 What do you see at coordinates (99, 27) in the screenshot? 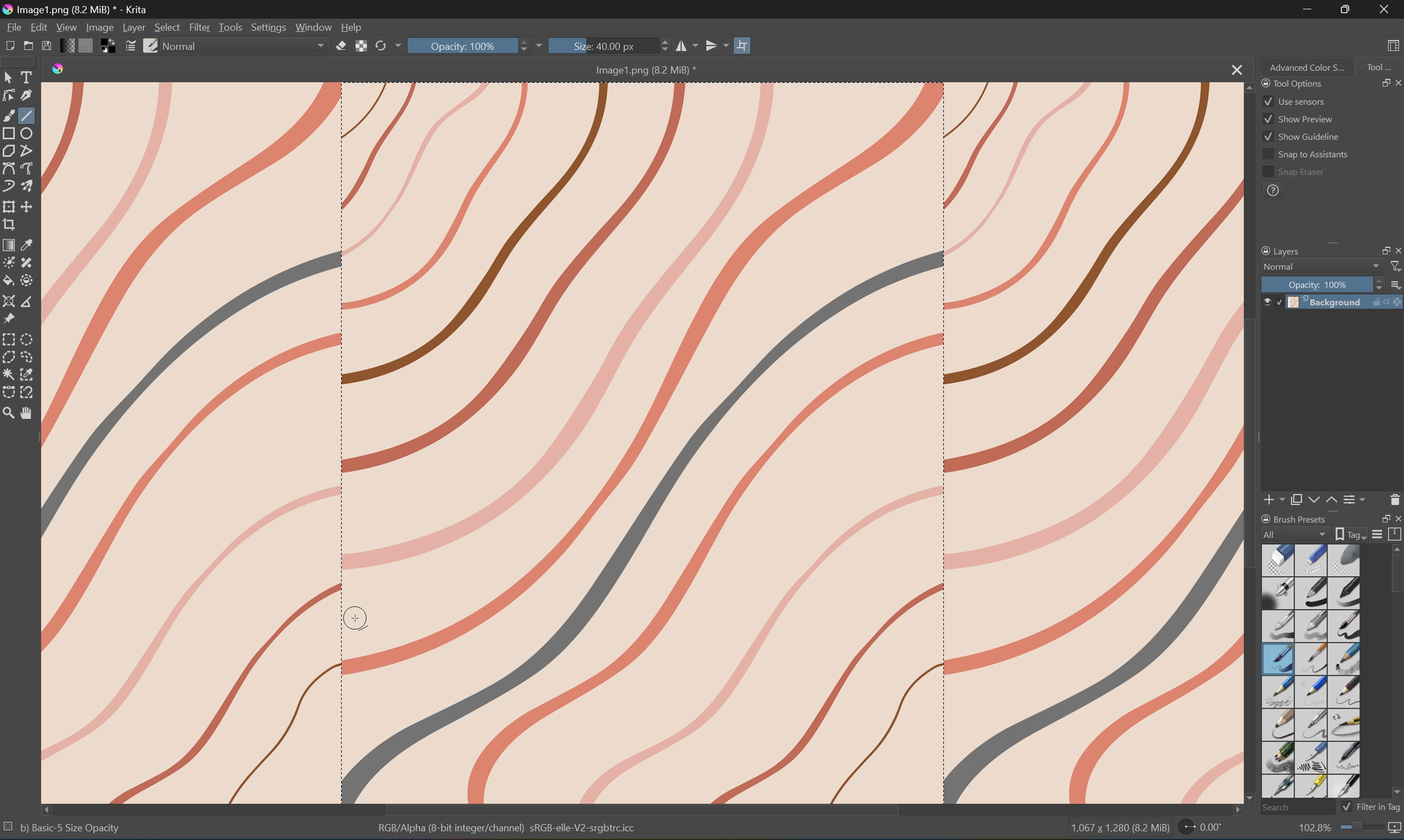
I see `Image` at bounding box center [99, 27].